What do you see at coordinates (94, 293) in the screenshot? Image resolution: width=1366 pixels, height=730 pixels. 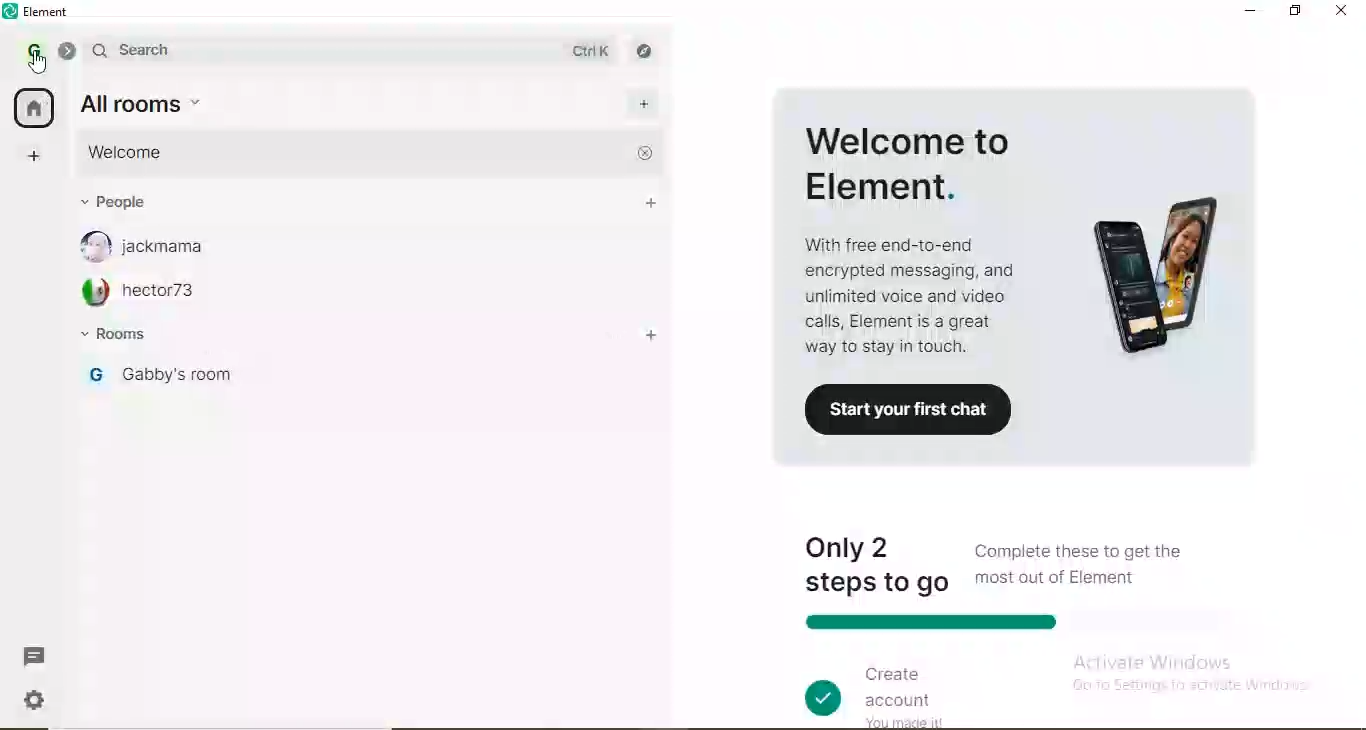 I see `profile image` at bounding box center [94, 293].